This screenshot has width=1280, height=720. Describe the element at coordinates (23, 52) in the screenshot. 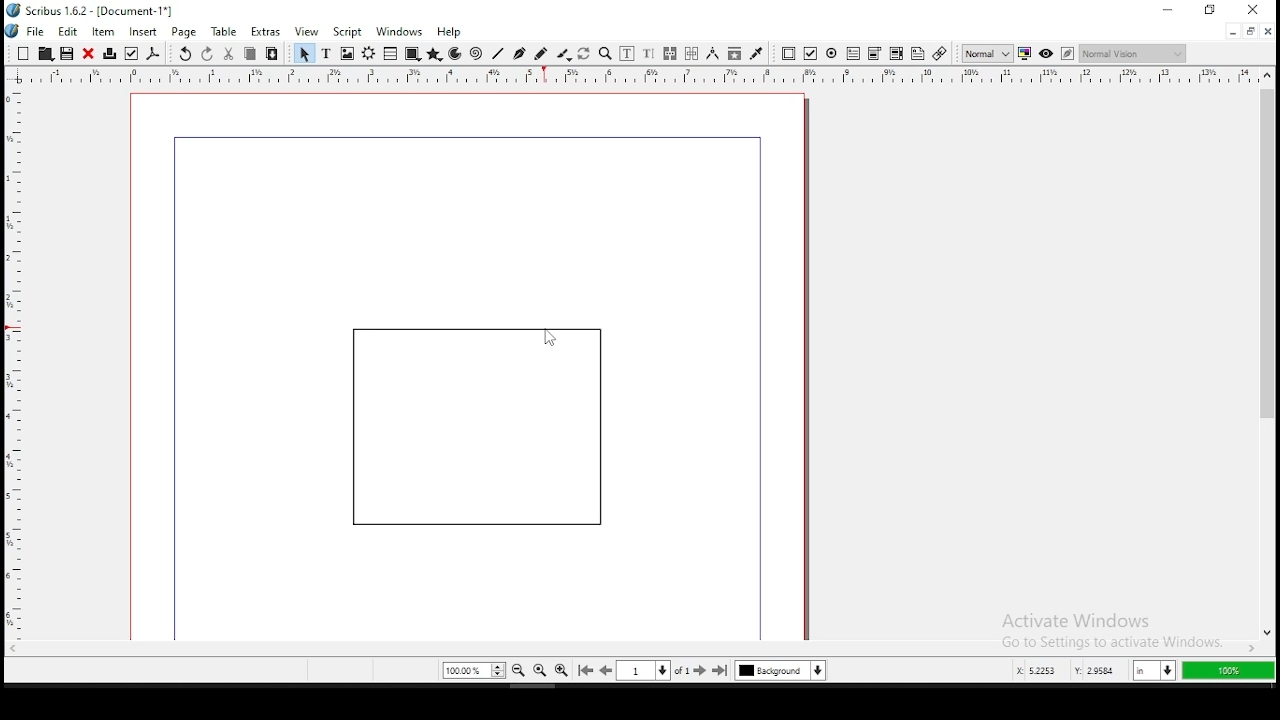

I see `new` at that location.